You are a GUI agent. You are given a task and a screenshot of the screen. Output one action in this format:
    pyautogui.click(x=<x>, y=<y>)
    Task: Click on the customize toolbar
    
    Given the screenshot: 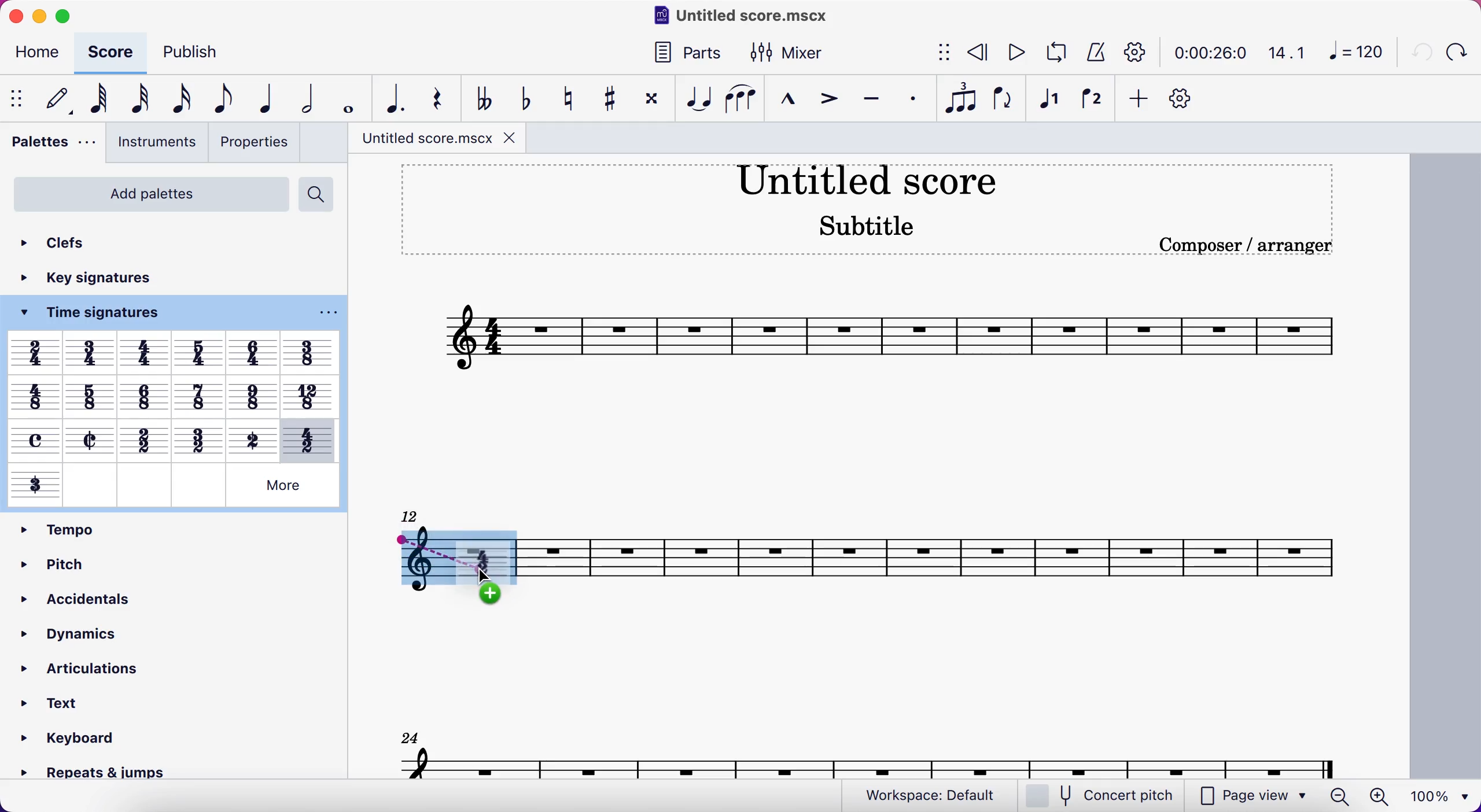 What is the action you would take?
    pyautogui.click(x=1184, y=98)
    